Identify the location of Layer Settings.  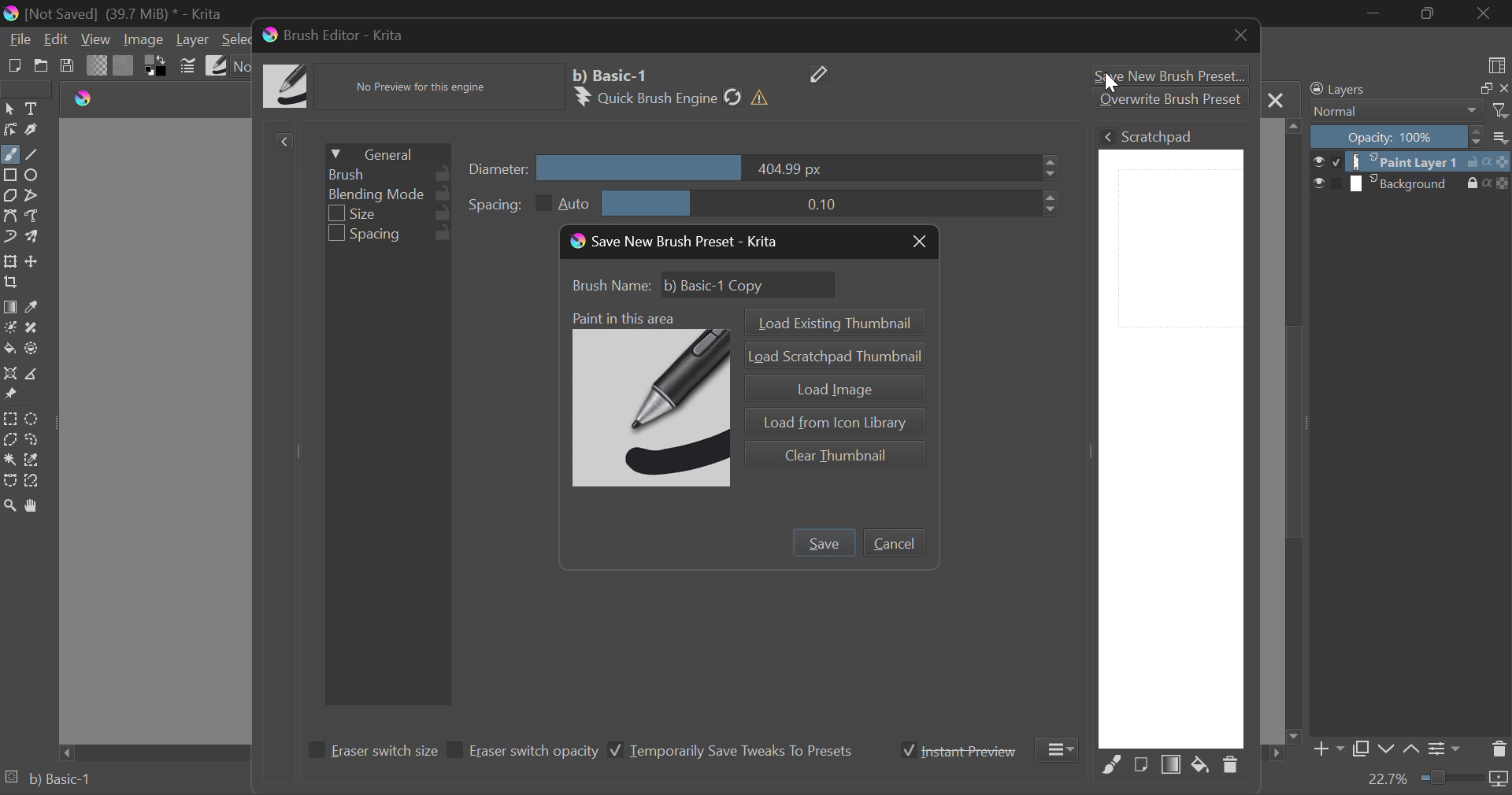
(1446, 749).